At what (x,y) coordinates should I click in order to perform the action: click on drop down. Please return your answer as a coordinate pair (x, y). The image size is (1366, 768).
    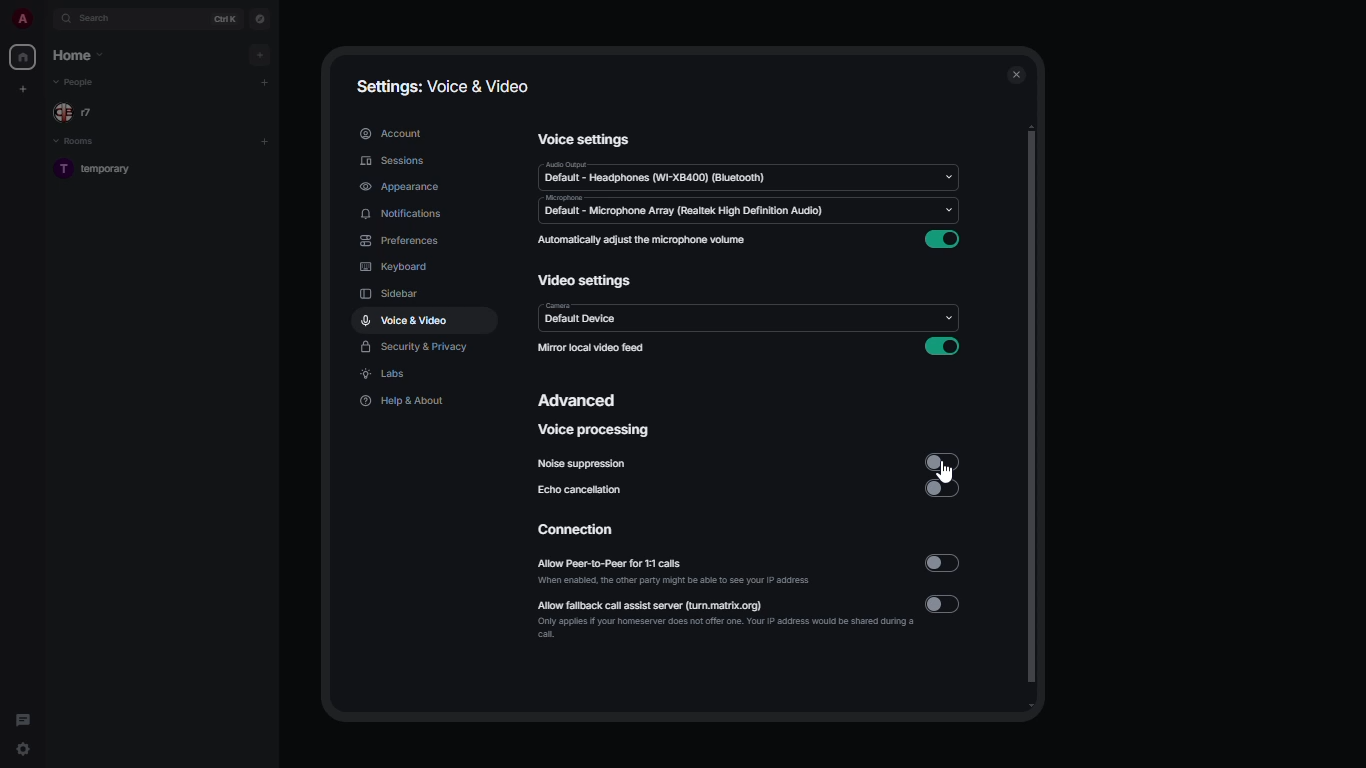
    Looking at the image, I should click on (953, 177).